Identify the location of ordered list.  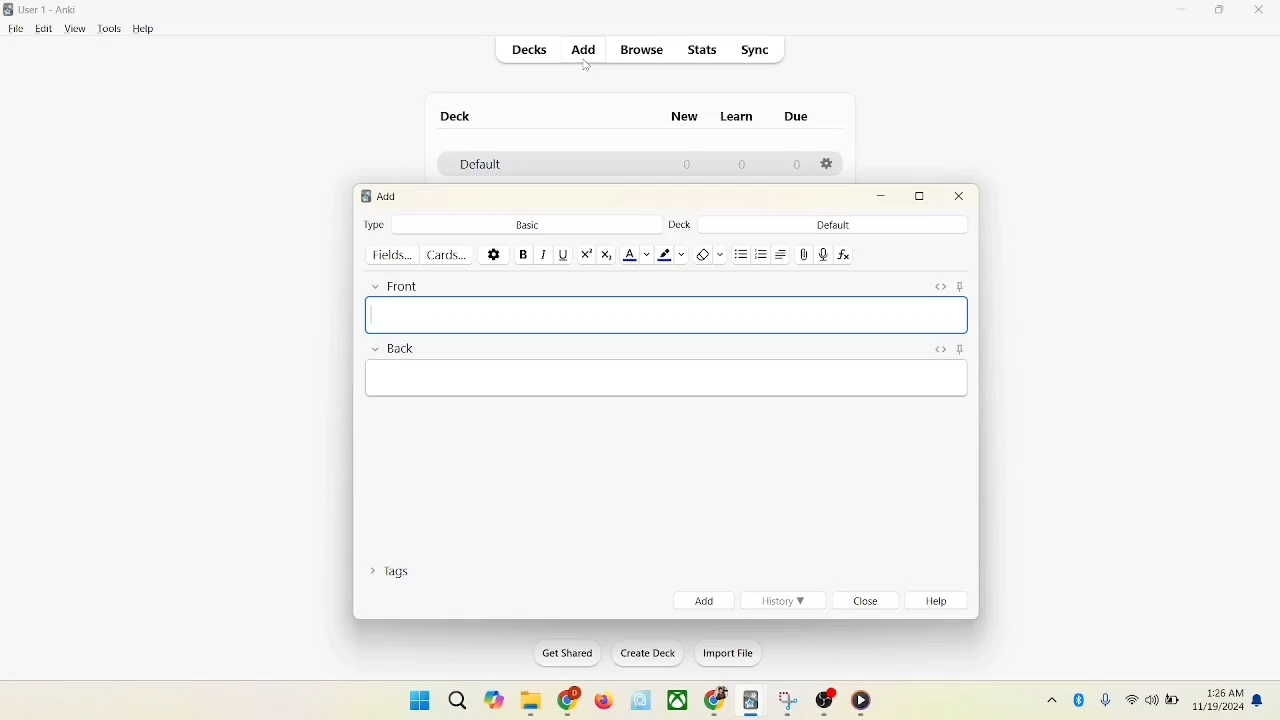
(762, 252).